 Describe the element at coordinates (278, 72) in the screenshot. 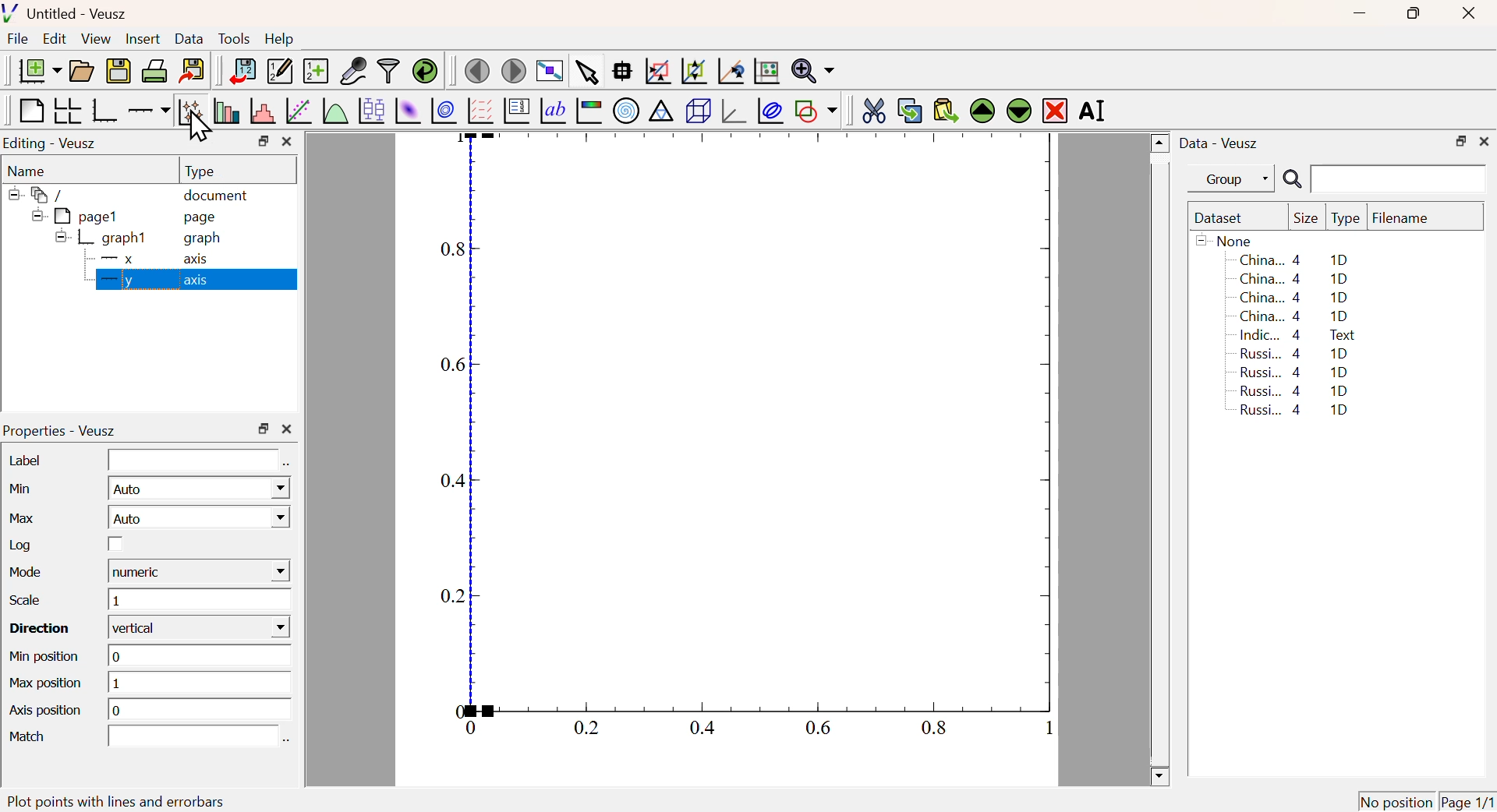

I see `Edit or add new data sets` at that location.